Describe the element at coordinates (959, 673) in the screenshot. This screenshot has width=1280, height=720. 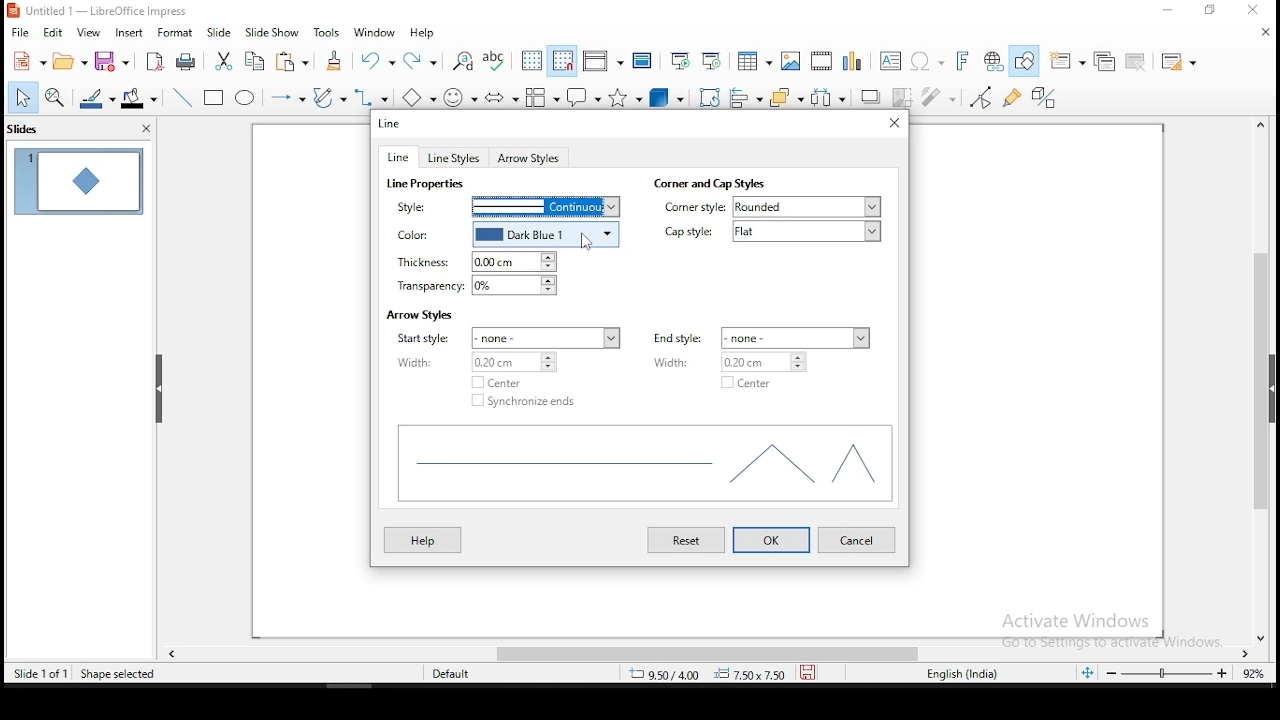
I see `english (india)` at that location.